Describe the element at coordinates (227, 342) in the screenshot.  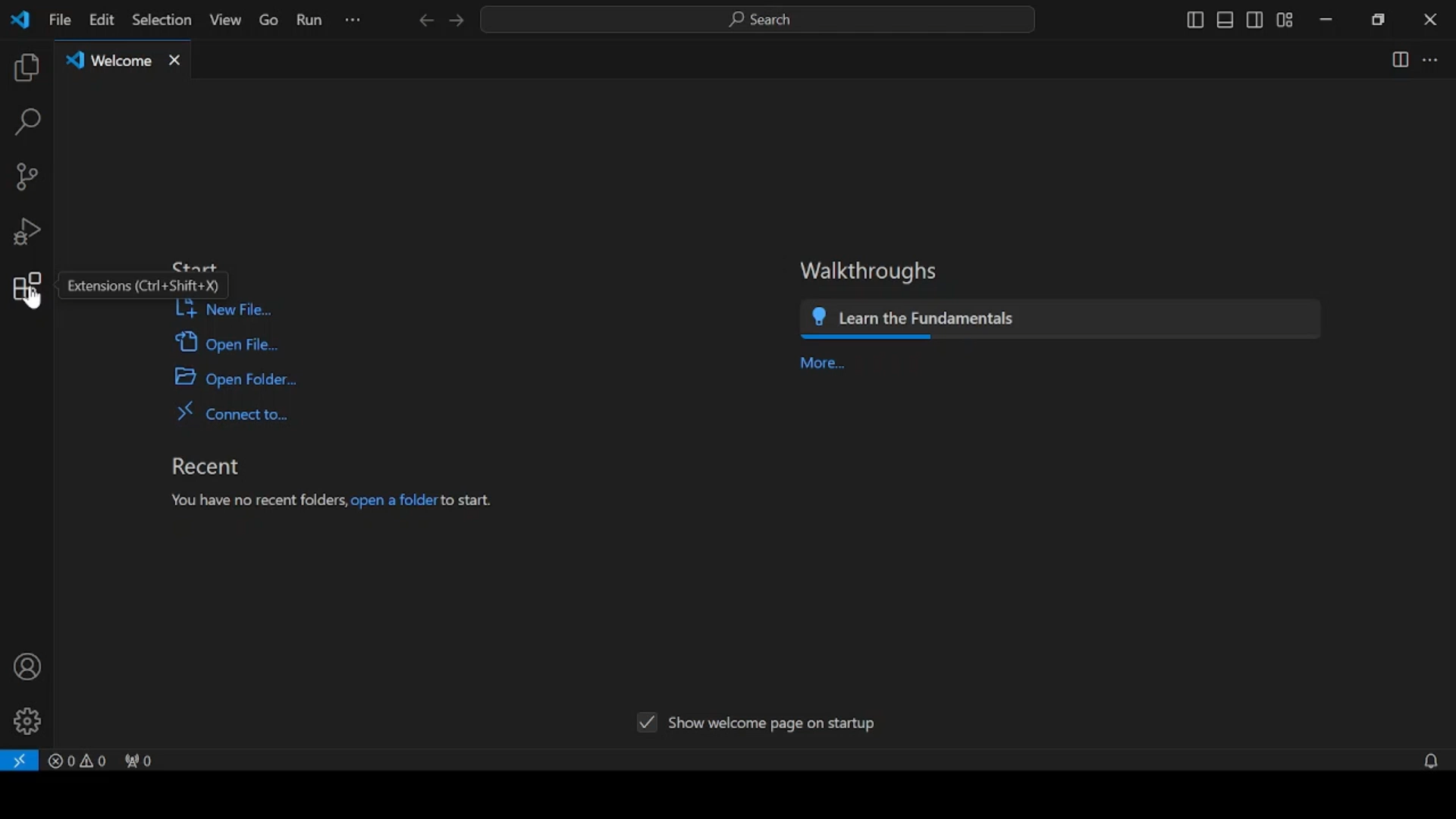
I see `open file` at that location.